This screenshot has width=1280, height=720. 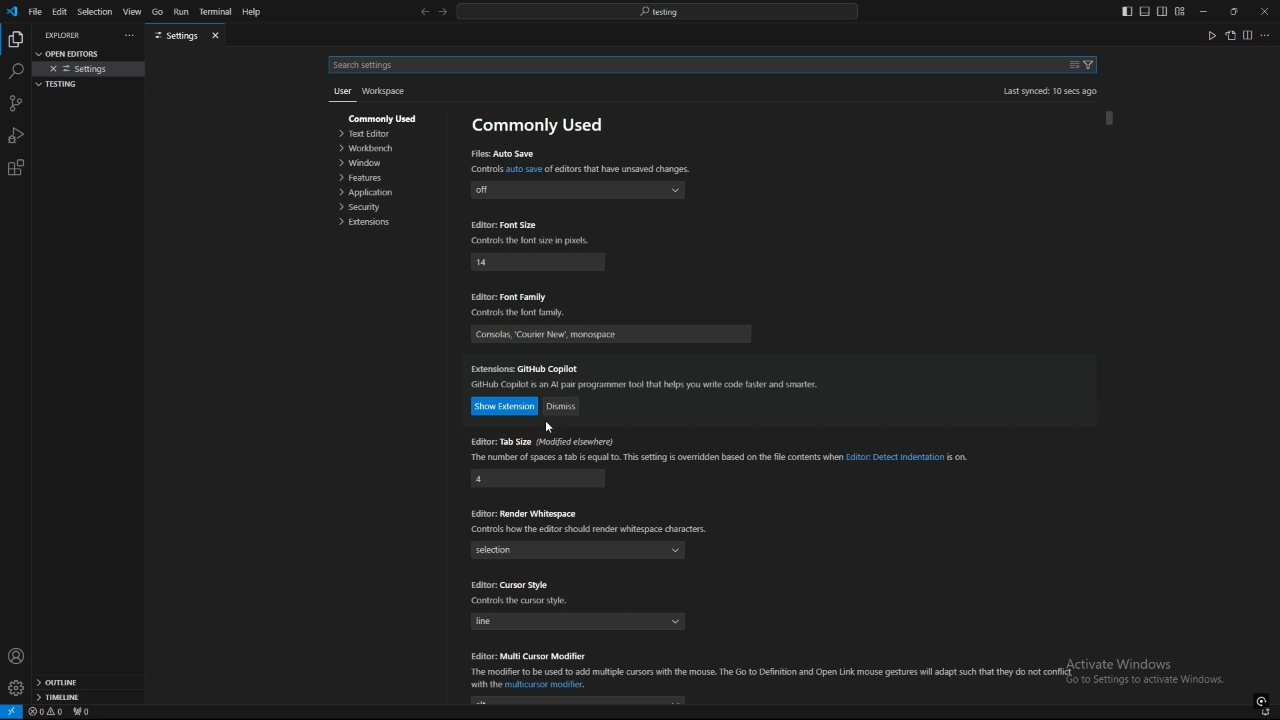 What do you see at coordinates (1074, 65) in the screenshot?
I see `change settings search input` at bounding box center [1074, 65].